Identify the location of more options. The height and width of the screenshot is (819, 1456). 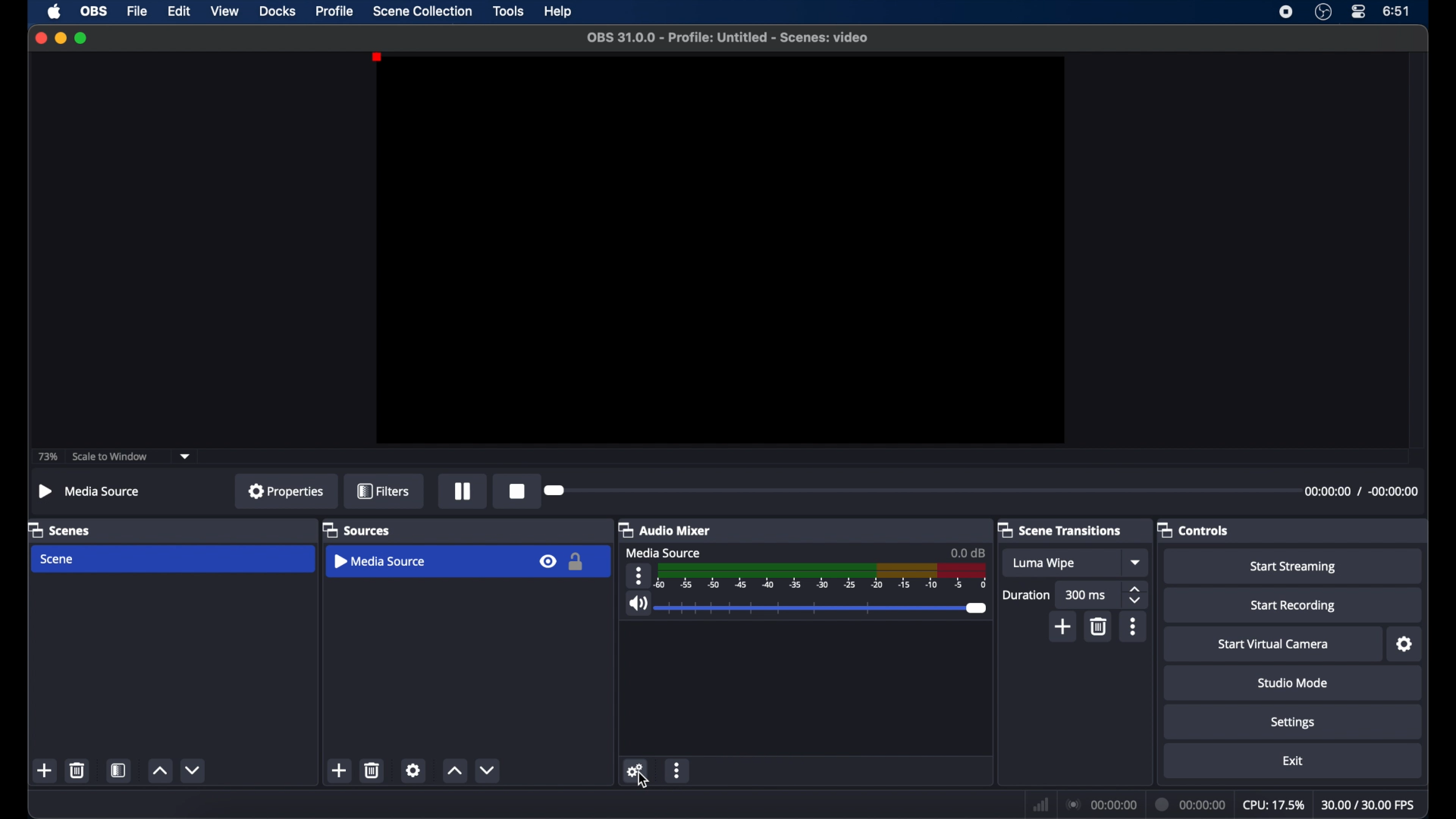
(640, 576).